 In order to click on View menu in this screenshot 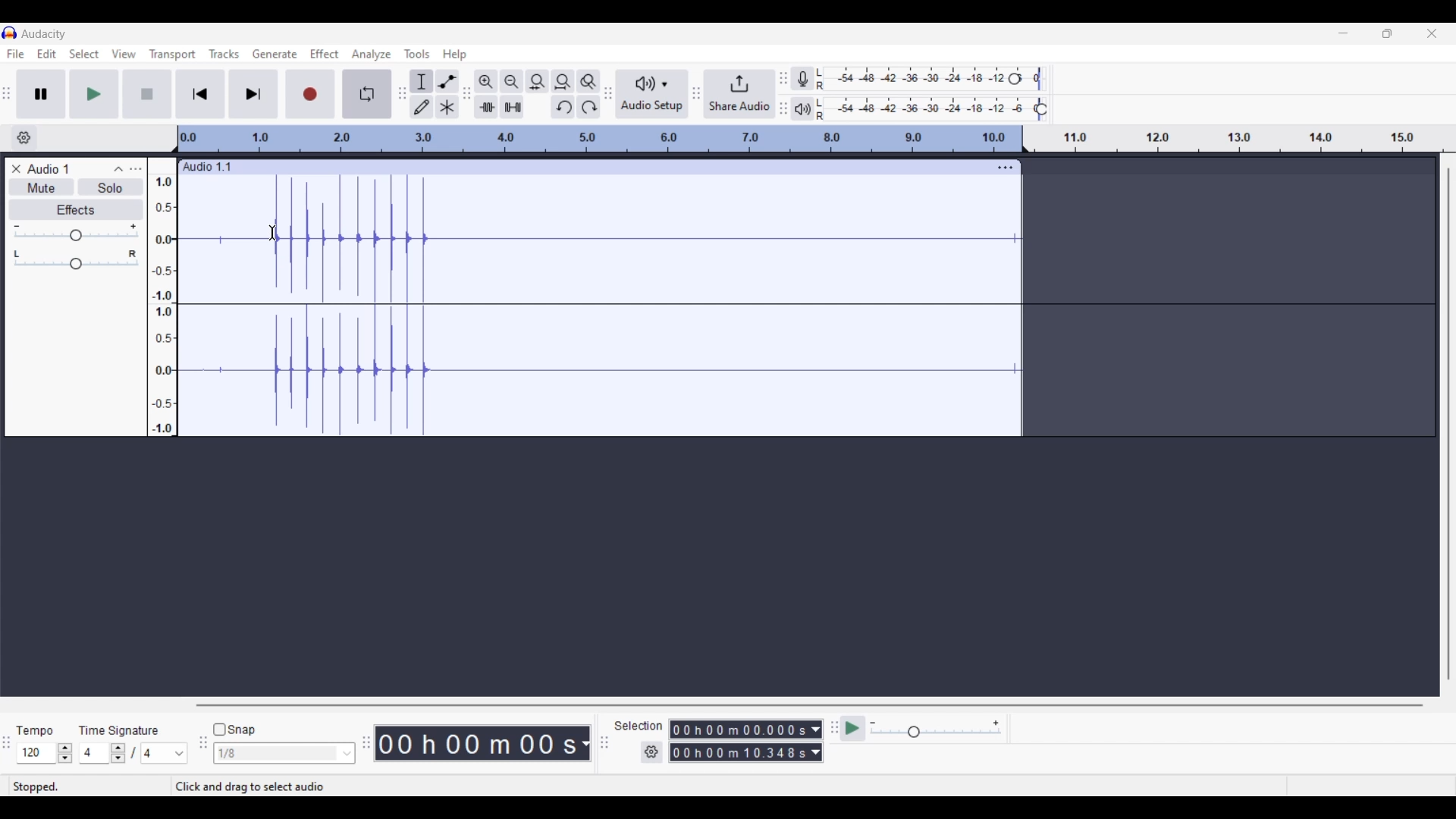, I will do `click(124, 55)`.